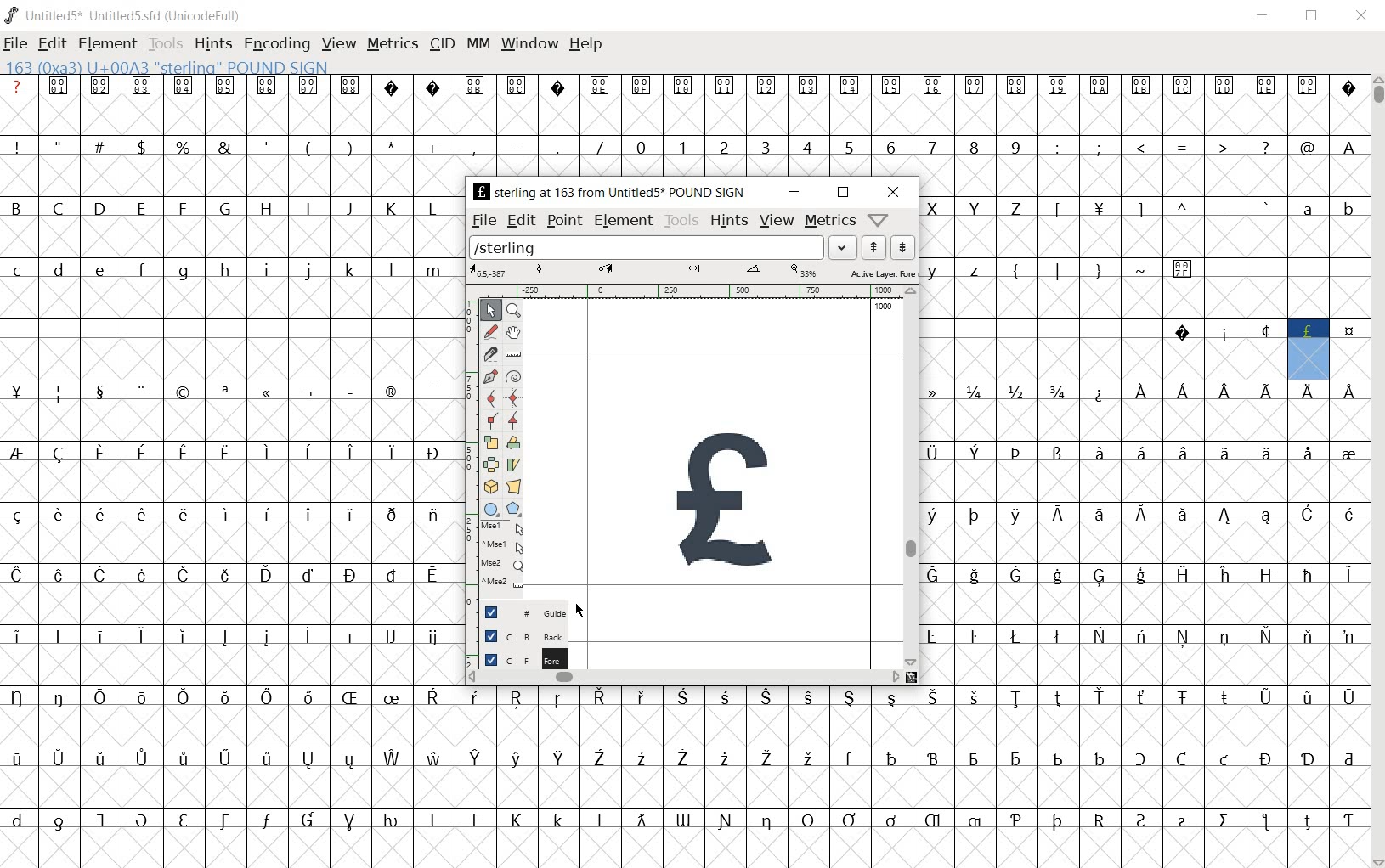 The width and height of the screenshot is (1385, 868). I want to click on VIEW, so click(338, 42).